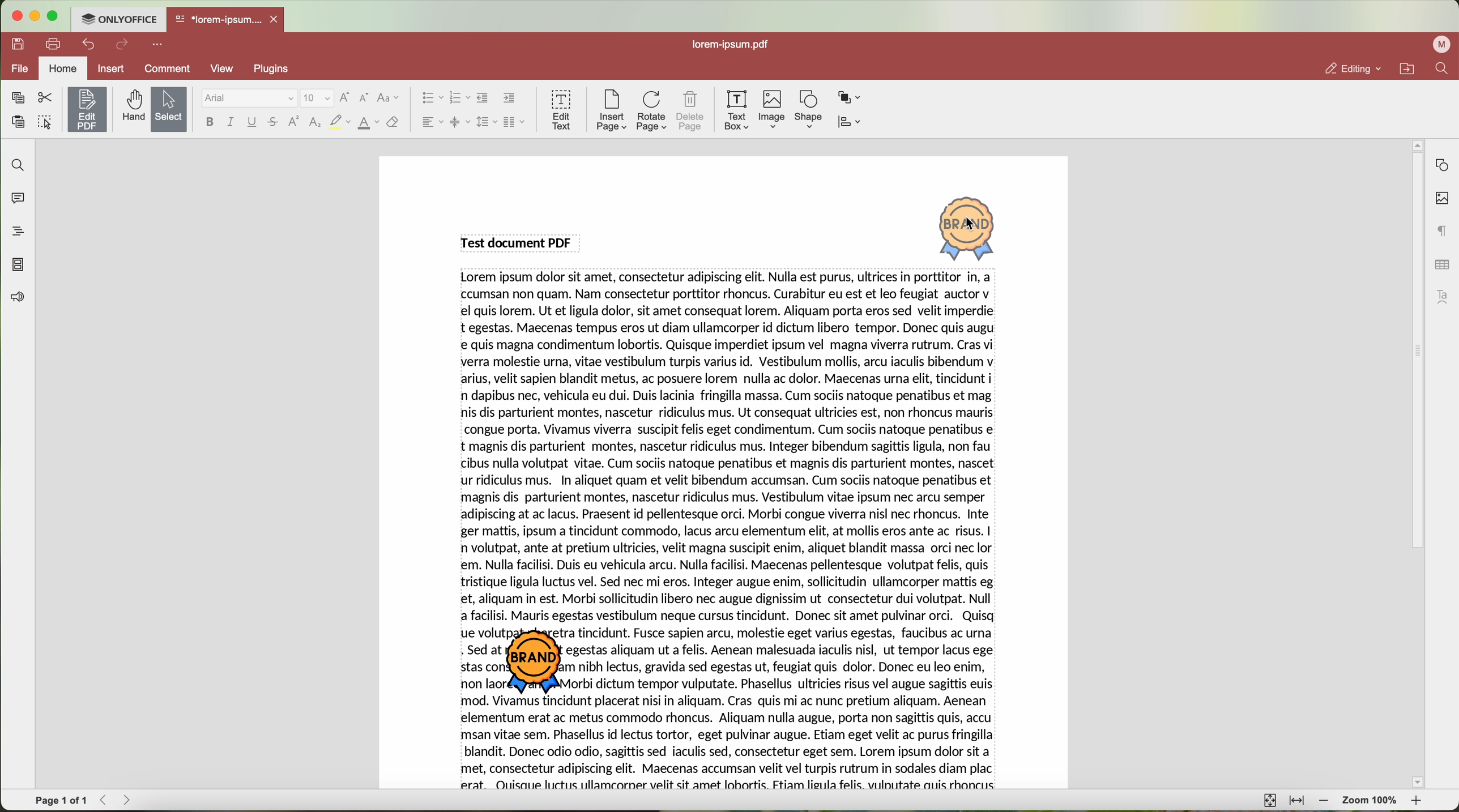 The height and width of the screenshot is (812, 1459). What do you see at coordinates (809, 110) in the screenshot?
I see `shape` at bounding box center [809, 110].